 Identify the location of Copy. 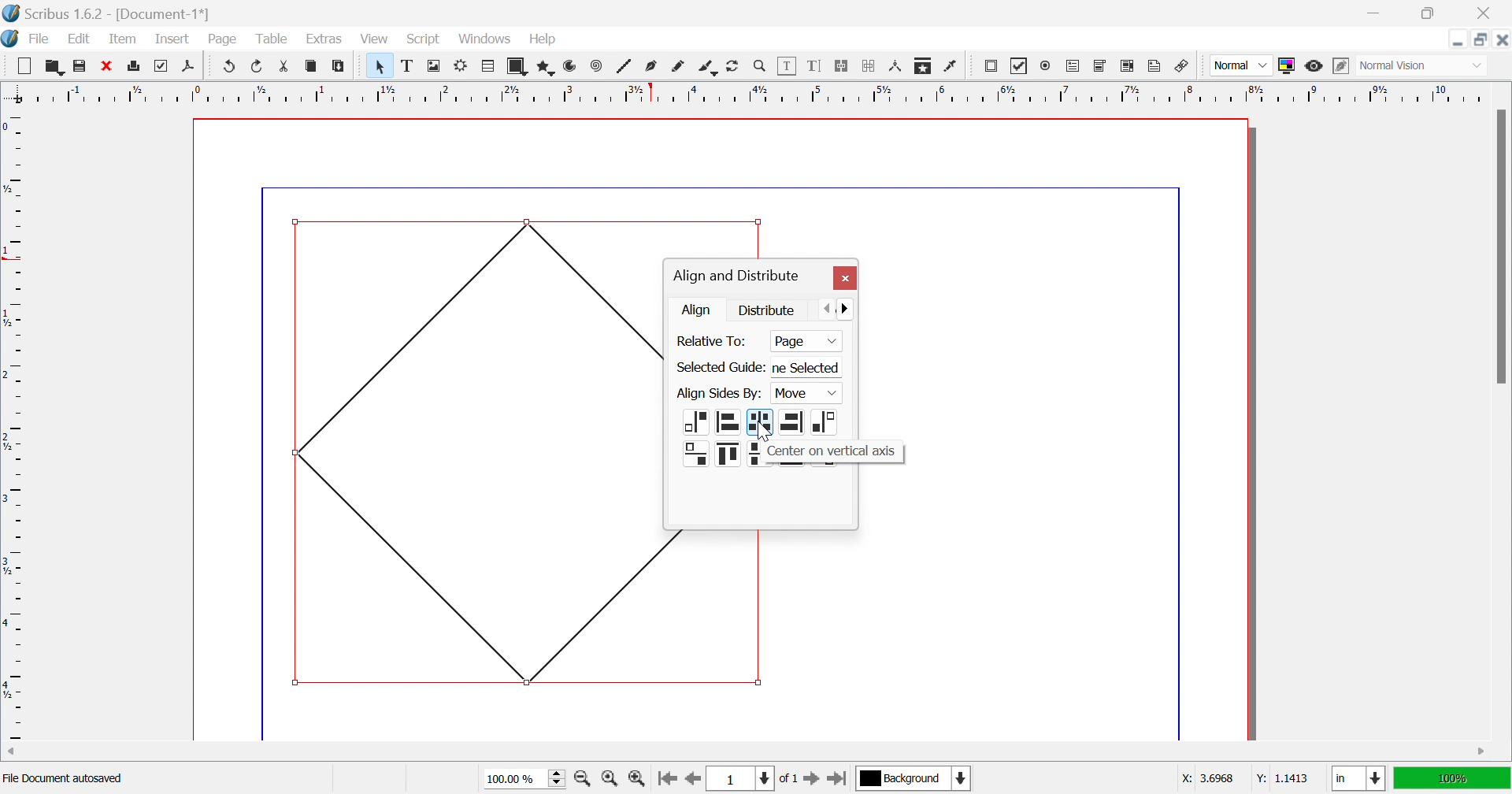
(311, 65).